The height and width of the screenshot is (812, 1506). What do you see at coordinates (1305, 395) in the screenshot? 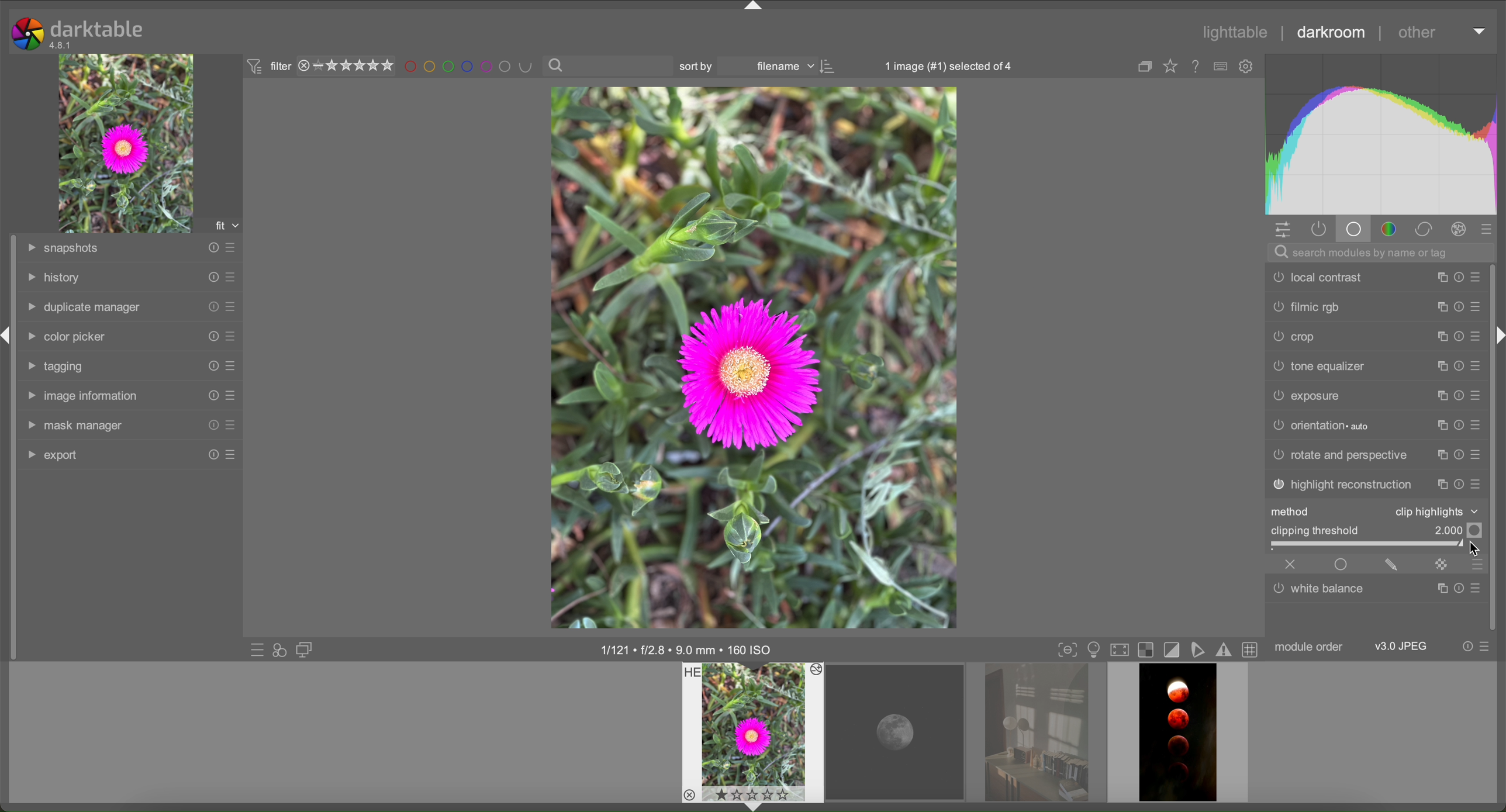
I see `exposure` at bounding box center [1305, 395].